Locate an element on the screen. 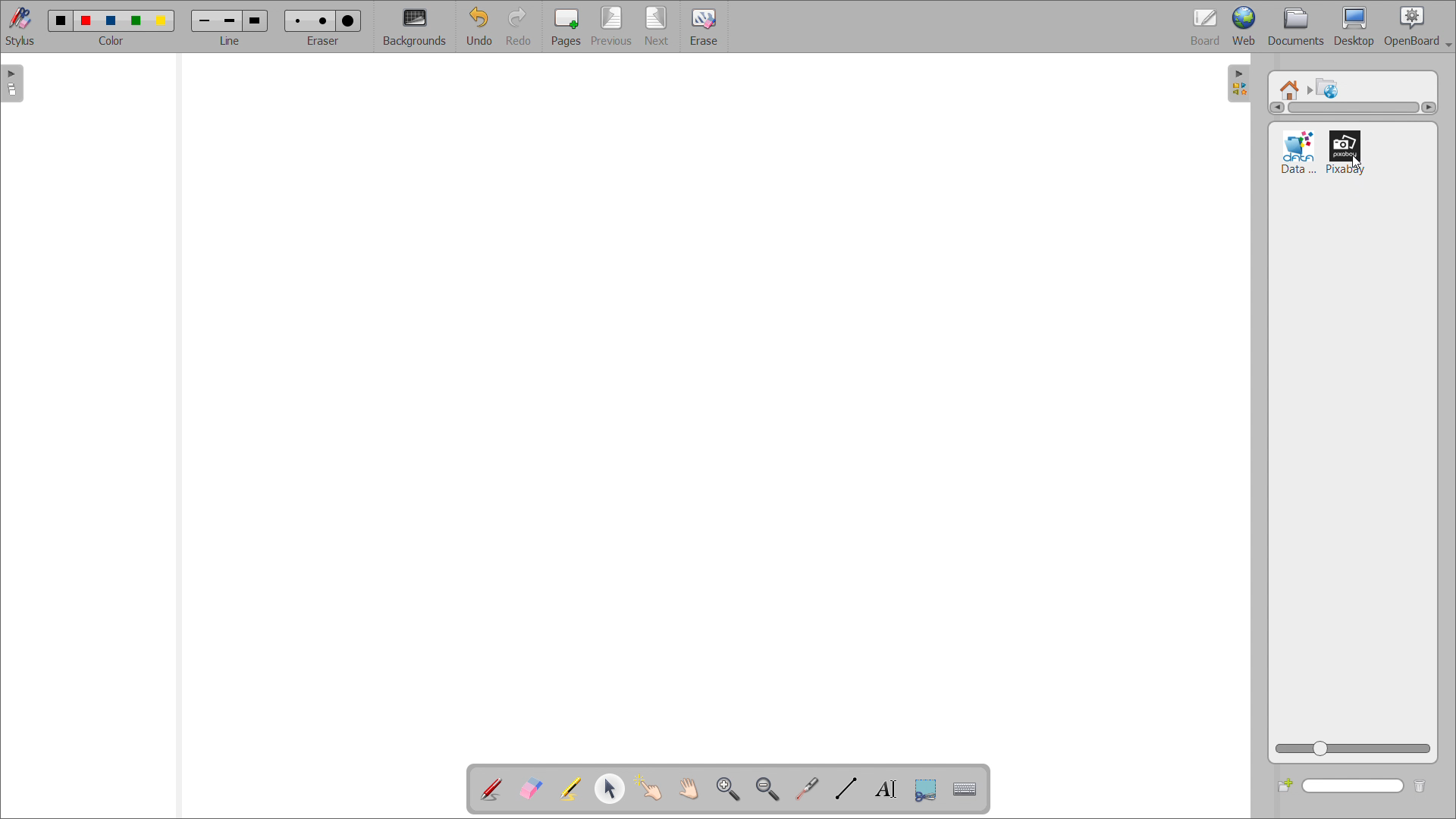 This screenshot has width=1456, height=819. Color 2 is located at coordinates (86, 19).